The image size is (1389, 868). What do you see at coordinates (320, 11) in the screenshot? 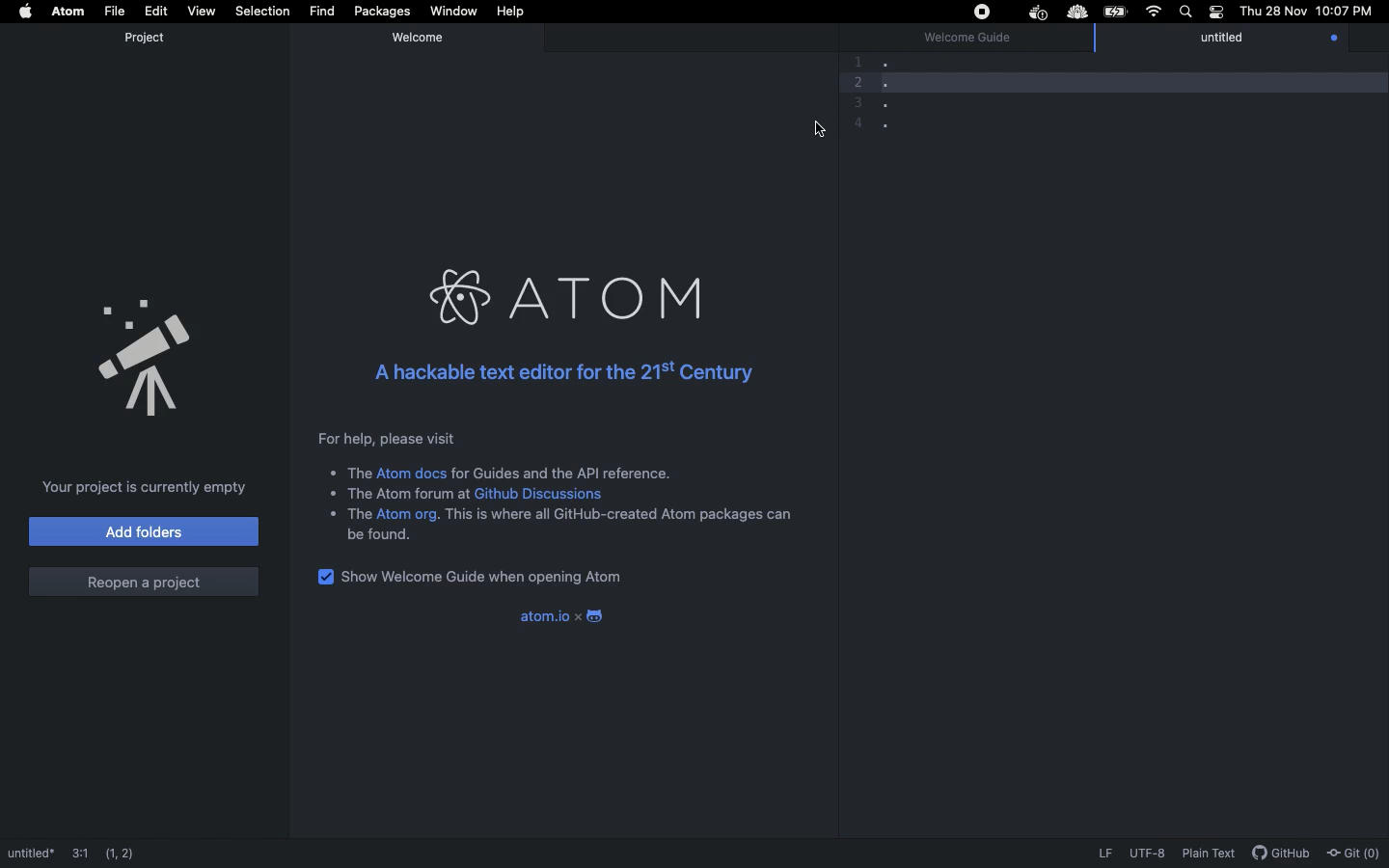
I see `Find` at bounding box center [320, 11].